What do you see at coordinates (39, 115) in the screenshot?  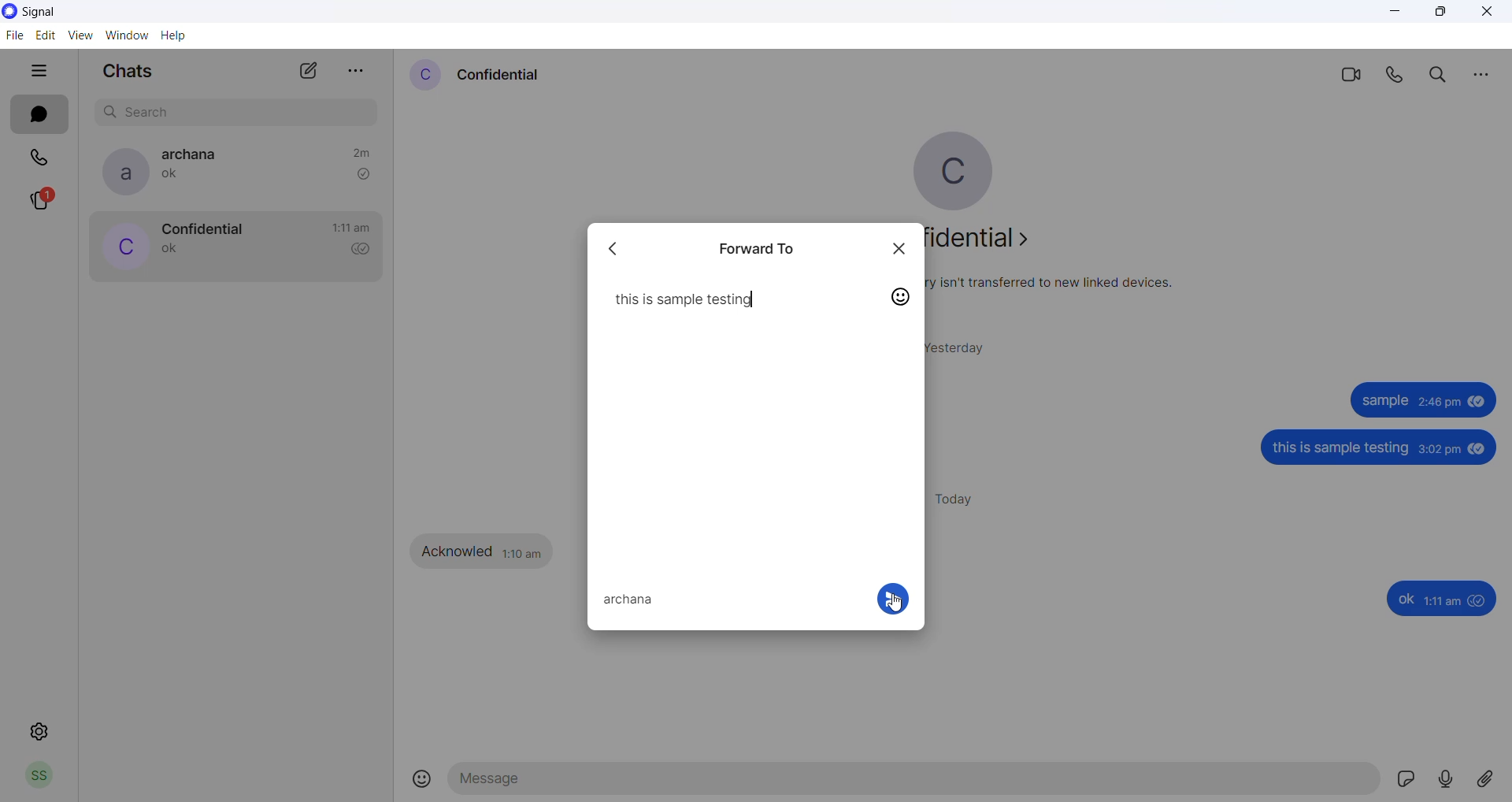 I see `chats` at bounding box center [39, 115].